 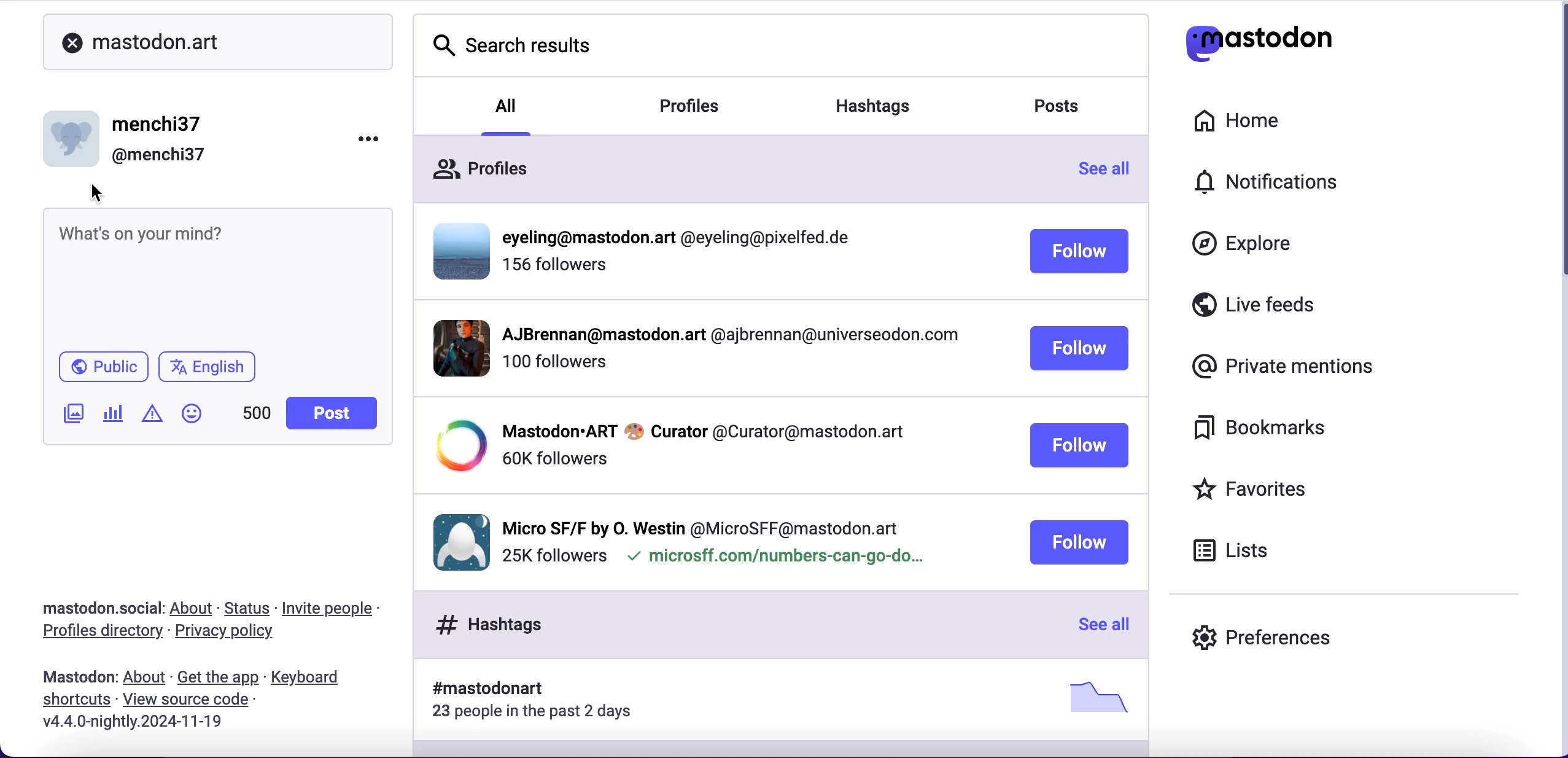 What do you see at coordinates (154, 415) in the screenshot?
I see `add warning` at bounding box center [154, 415].